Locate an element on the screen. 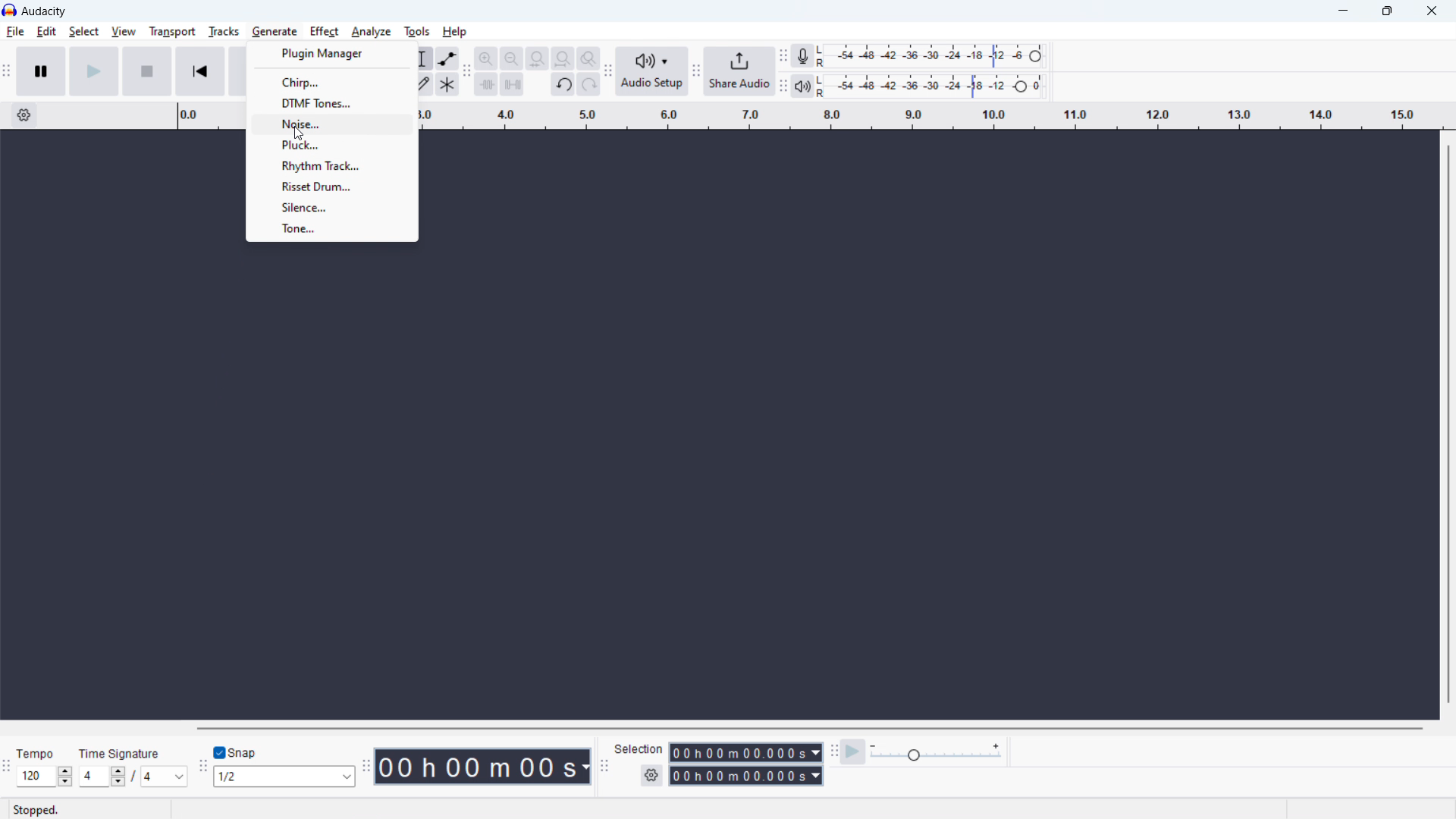 The width and height of the screenshot is (1456, 819).  is located at coordinates (801, 55).